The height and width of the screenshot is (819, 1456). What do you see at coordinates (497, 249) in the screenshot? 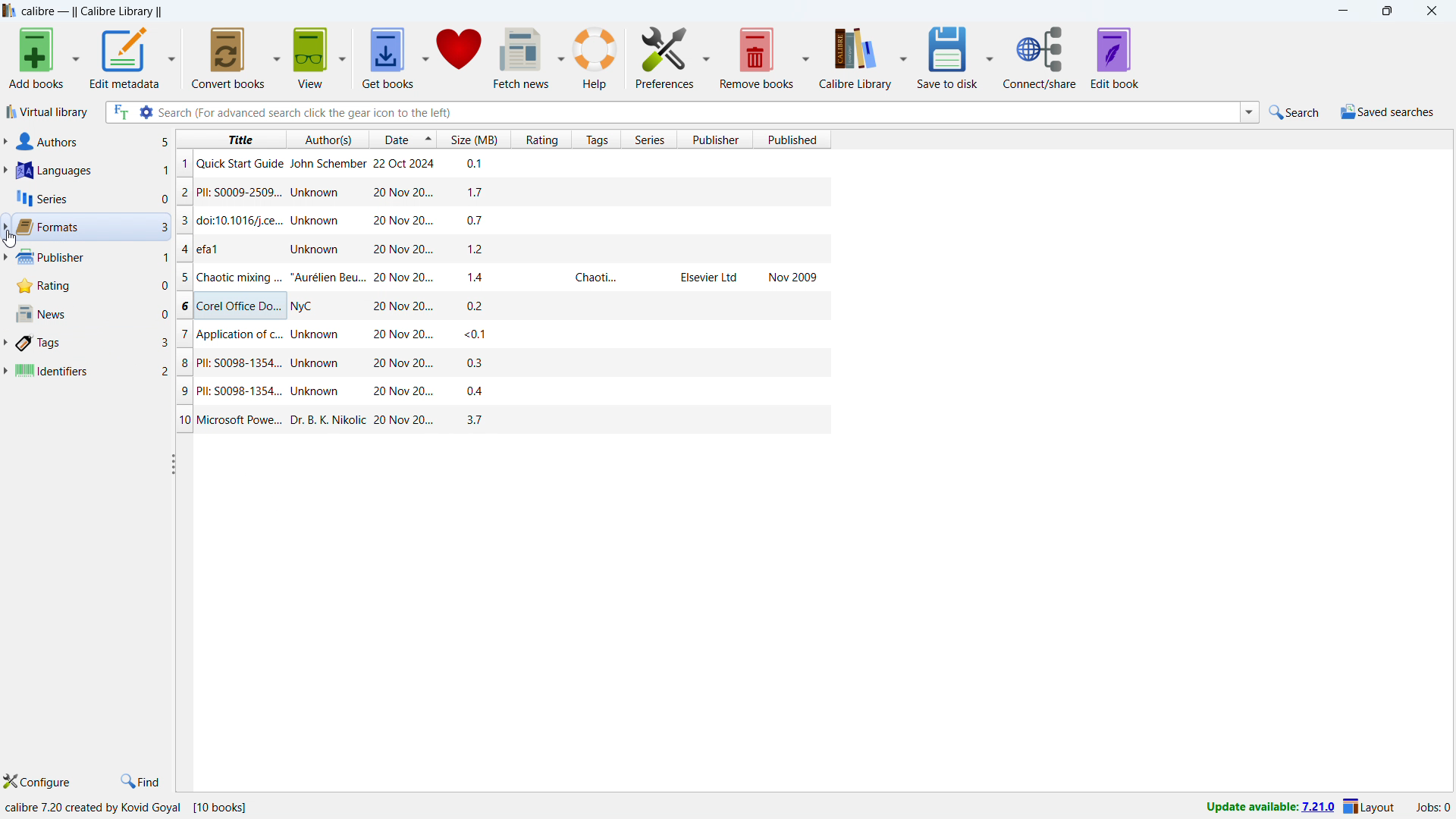
I see `one book entry` at bounding box center [497, 249].